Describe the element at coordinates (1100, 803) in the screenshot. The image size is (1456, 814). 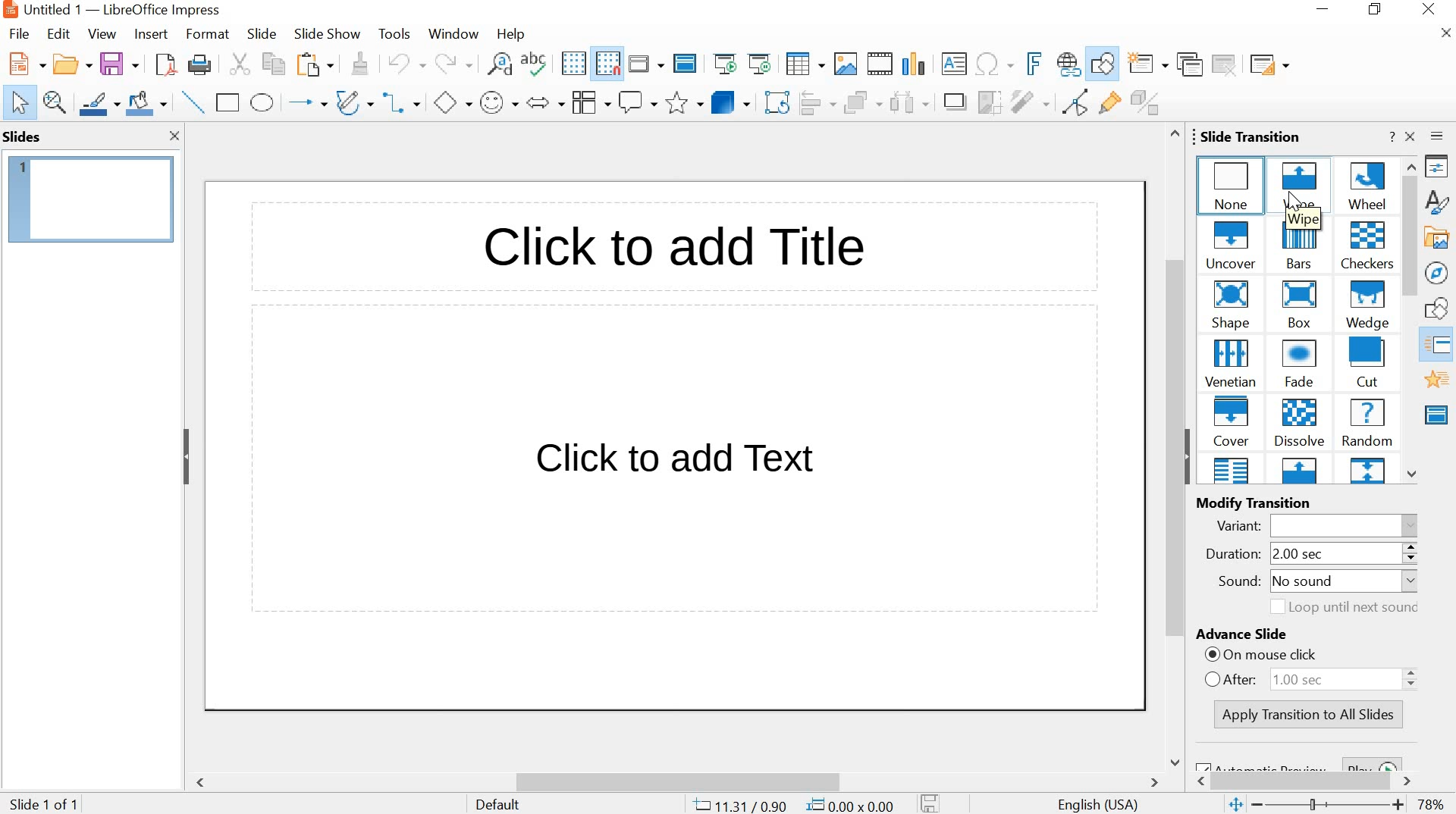
I see `TEXT LANGUAGE` at that location.